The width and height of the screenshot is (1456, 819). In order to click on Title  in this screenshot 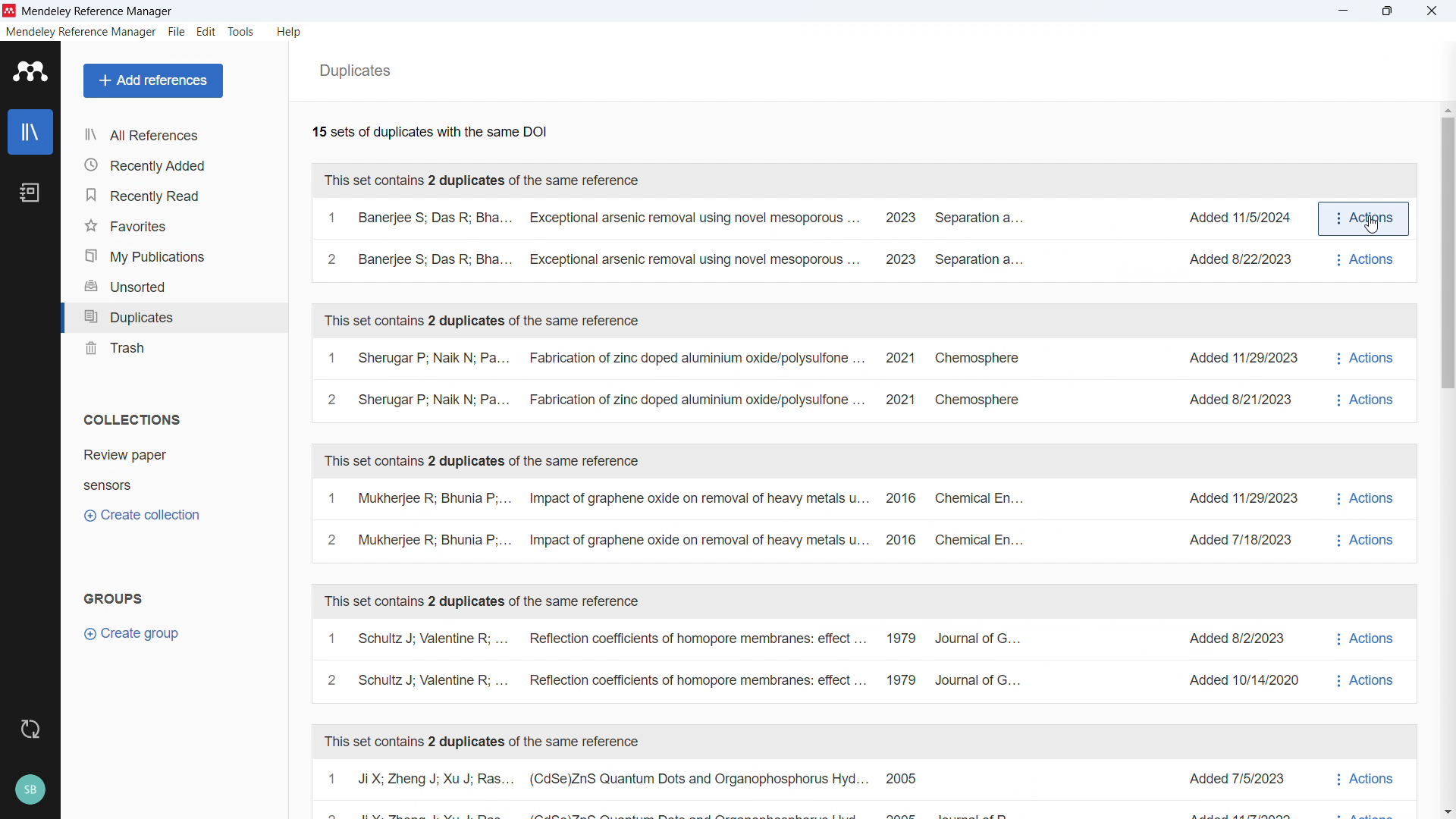, I will do `click(99, 12)`.